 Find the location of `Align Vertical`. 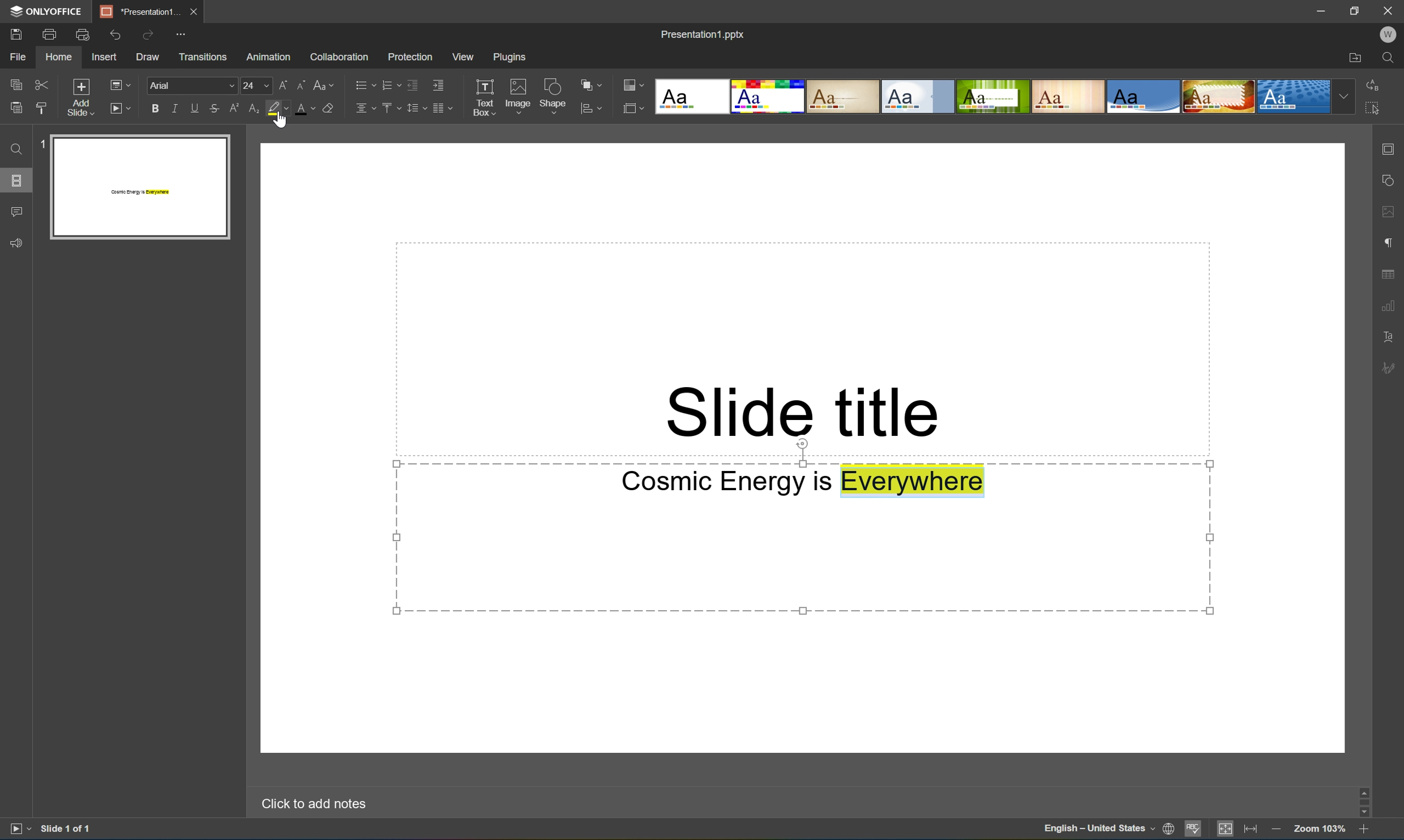

Align Vertical is located at coordinates (389, 108).